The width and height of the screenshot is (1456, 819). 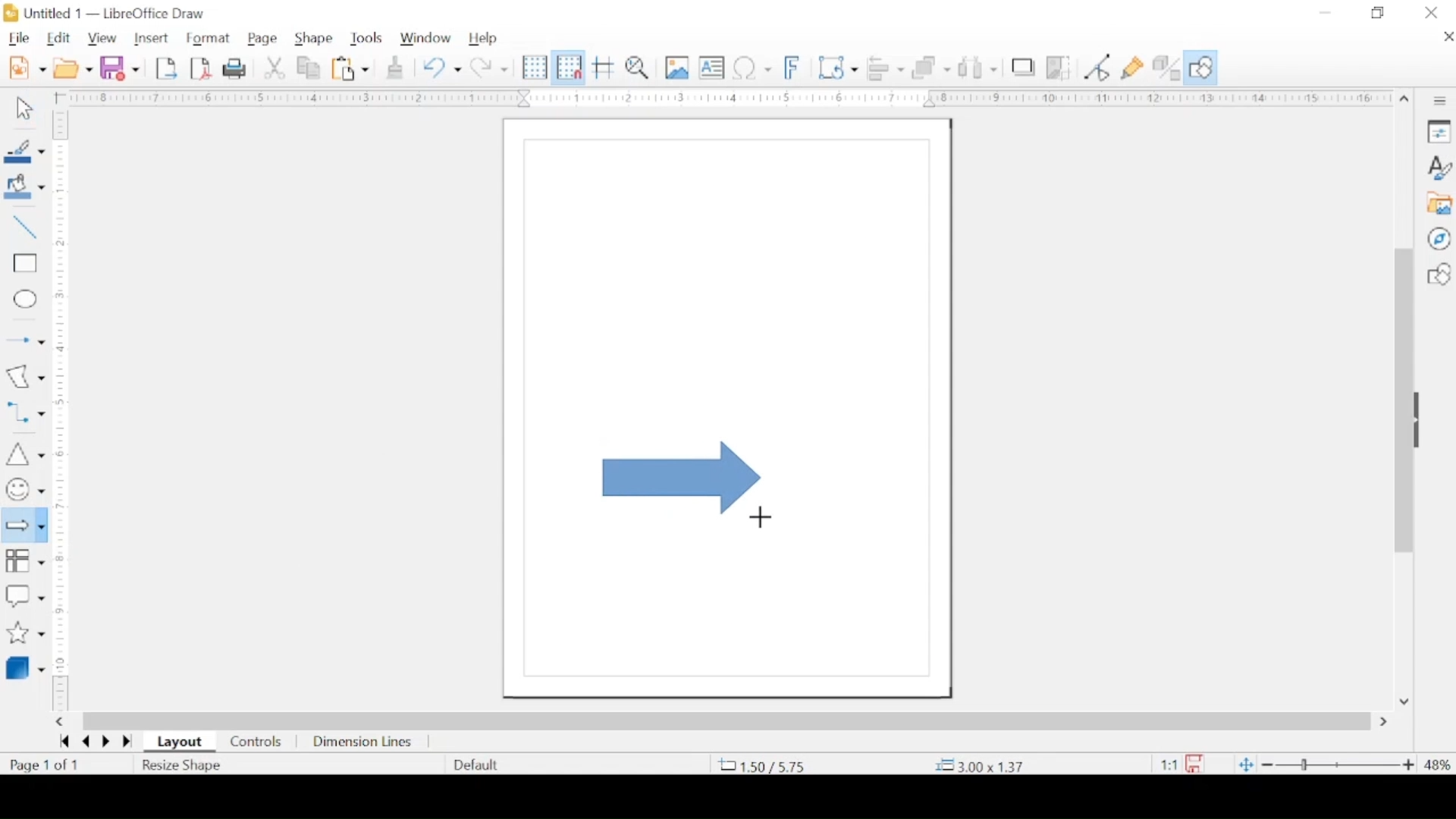 What do you see at coordinates (427, 38) in the screenshot?
I see `window` at bounding box center [427, 38].